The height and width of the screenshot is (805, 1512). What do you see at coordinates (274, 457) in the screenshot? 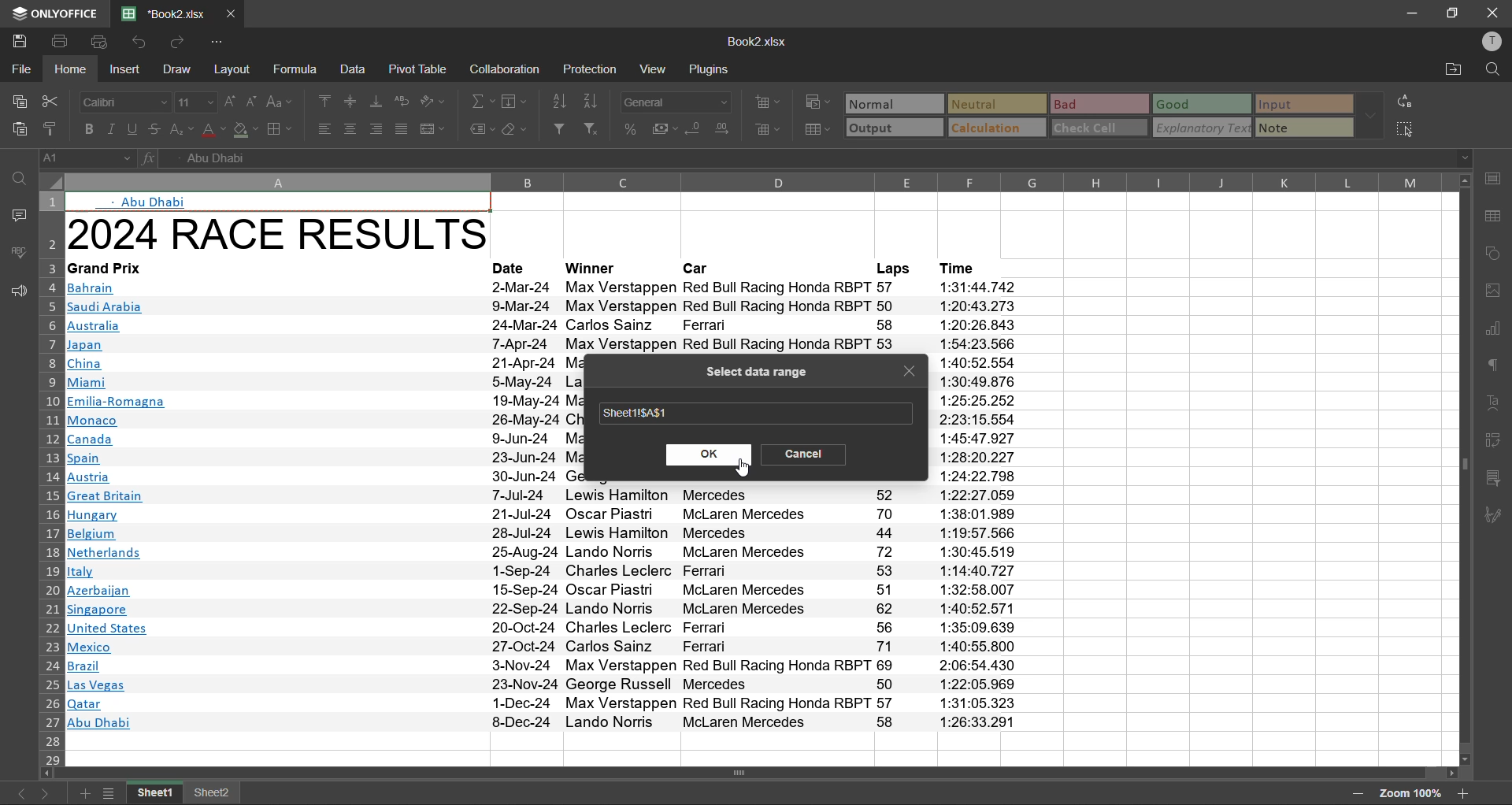
I see `2024 RACE RESULTS~Grand PrixBahrainSaudi ArabiaAustraliaJapanChinaMiamiEmilia-RomagnaMonacoCanadaSpainAustriaGreat BritainHungaryBelgiumNetherlandsItalyAzerbaijanSingaporeUnited StatesMexicoBrazilLas VegasQatarAbu Dhabi` at bounding box center [274, 457].